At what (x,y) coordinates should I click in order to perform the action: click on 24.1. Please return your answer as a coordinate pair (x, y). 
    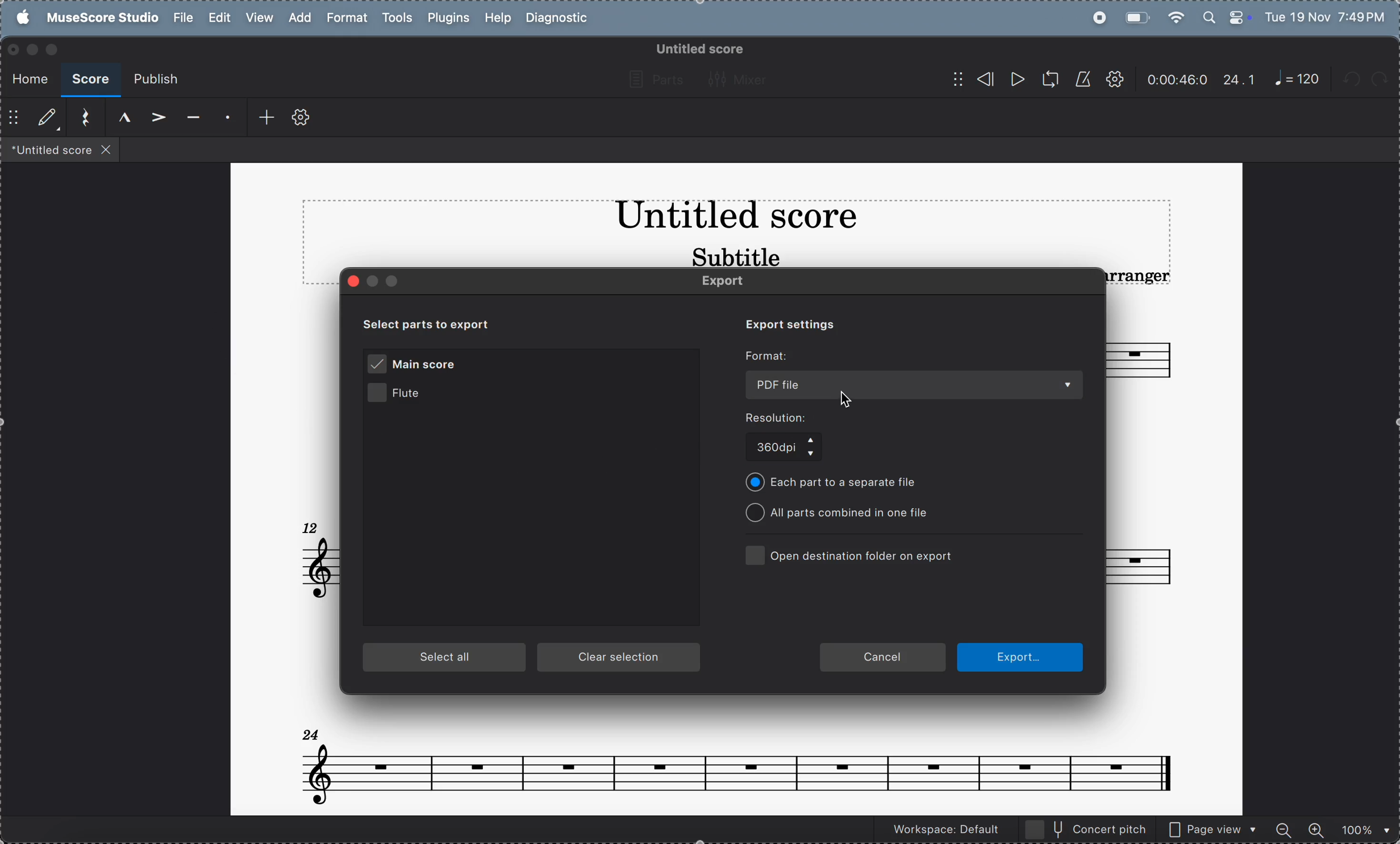
    Looking at the image, I should click on (1239, 80).